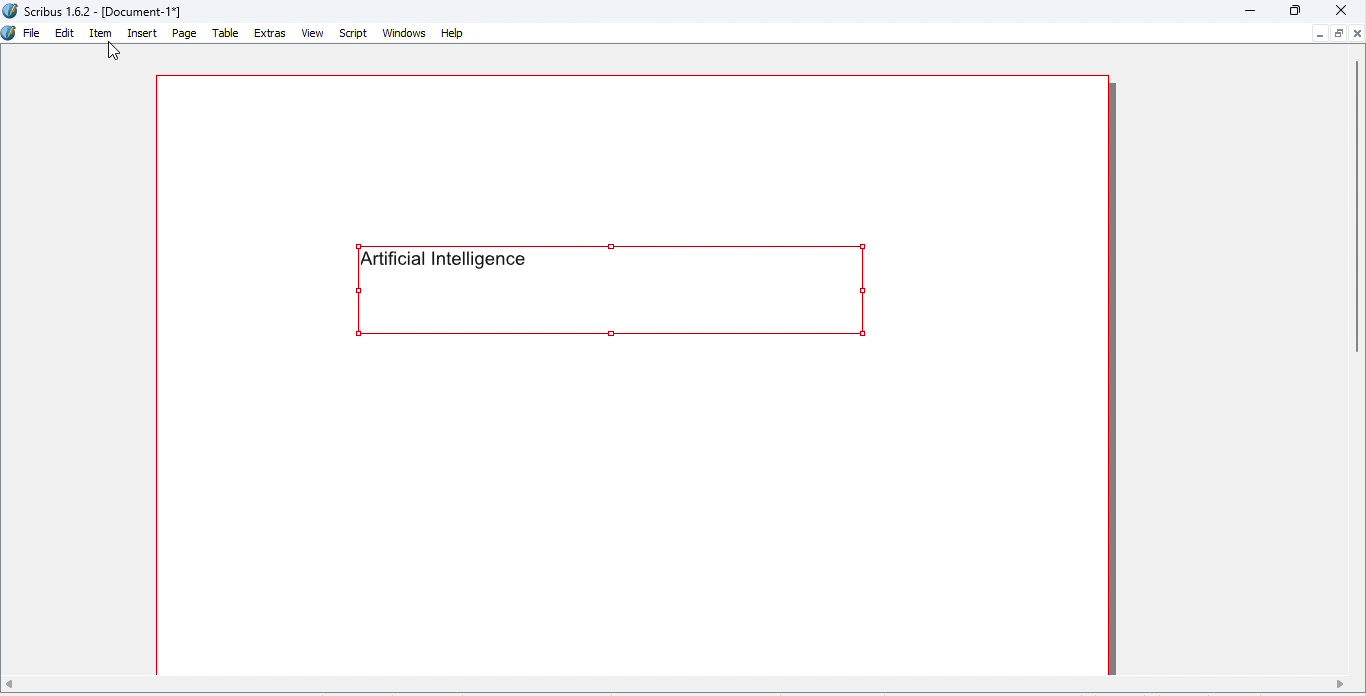 The width and height of the screenshot is (1366, 696). Describe the element at coordinates (145, 33) in the screenshot. I see `Insert` at that location.